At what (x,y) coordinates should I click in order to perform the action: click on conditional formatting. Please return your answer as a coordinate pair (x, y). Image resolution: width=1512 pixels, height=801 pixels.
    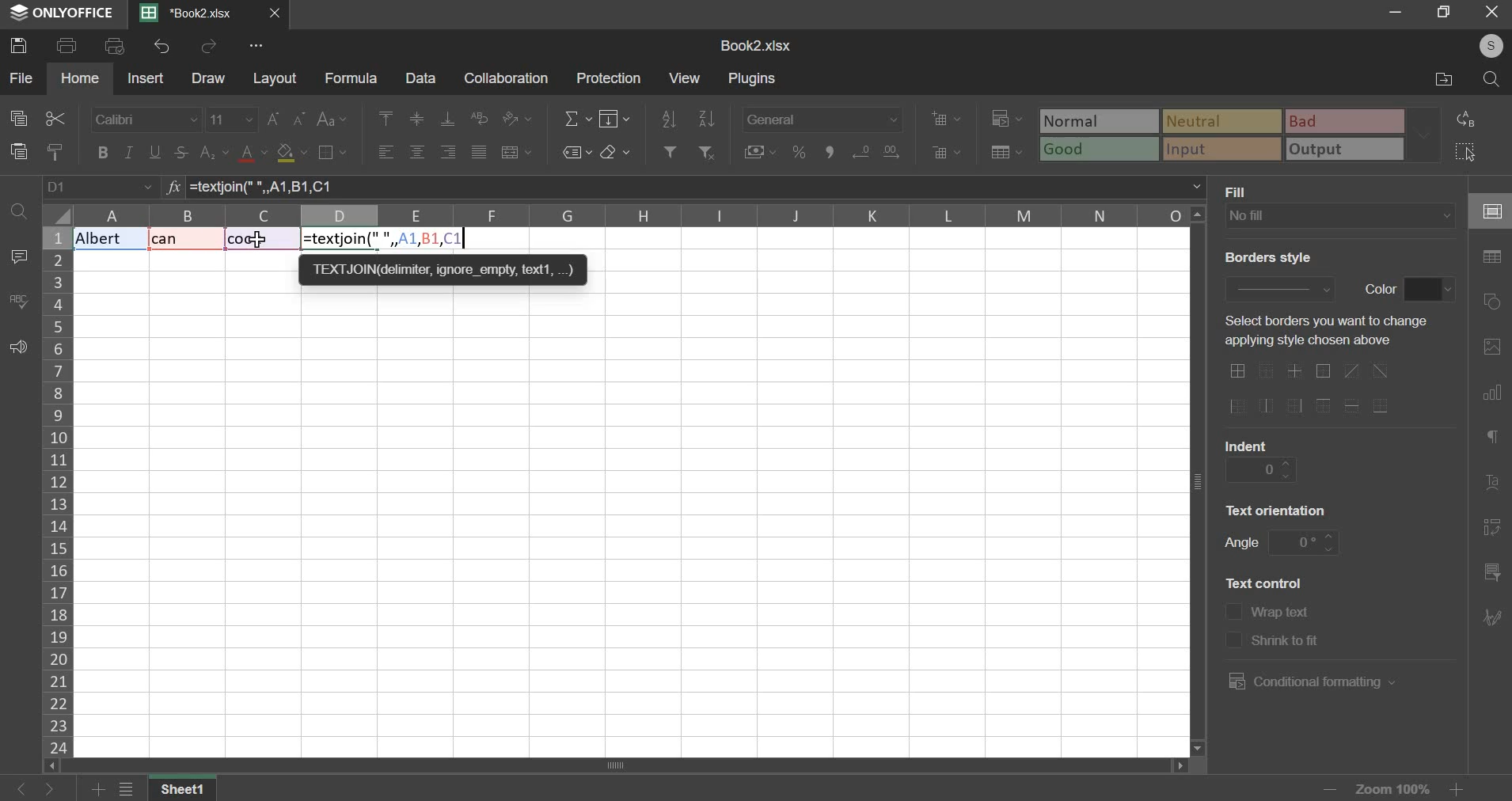
    Looking at the image, I should click on (1005, 120).